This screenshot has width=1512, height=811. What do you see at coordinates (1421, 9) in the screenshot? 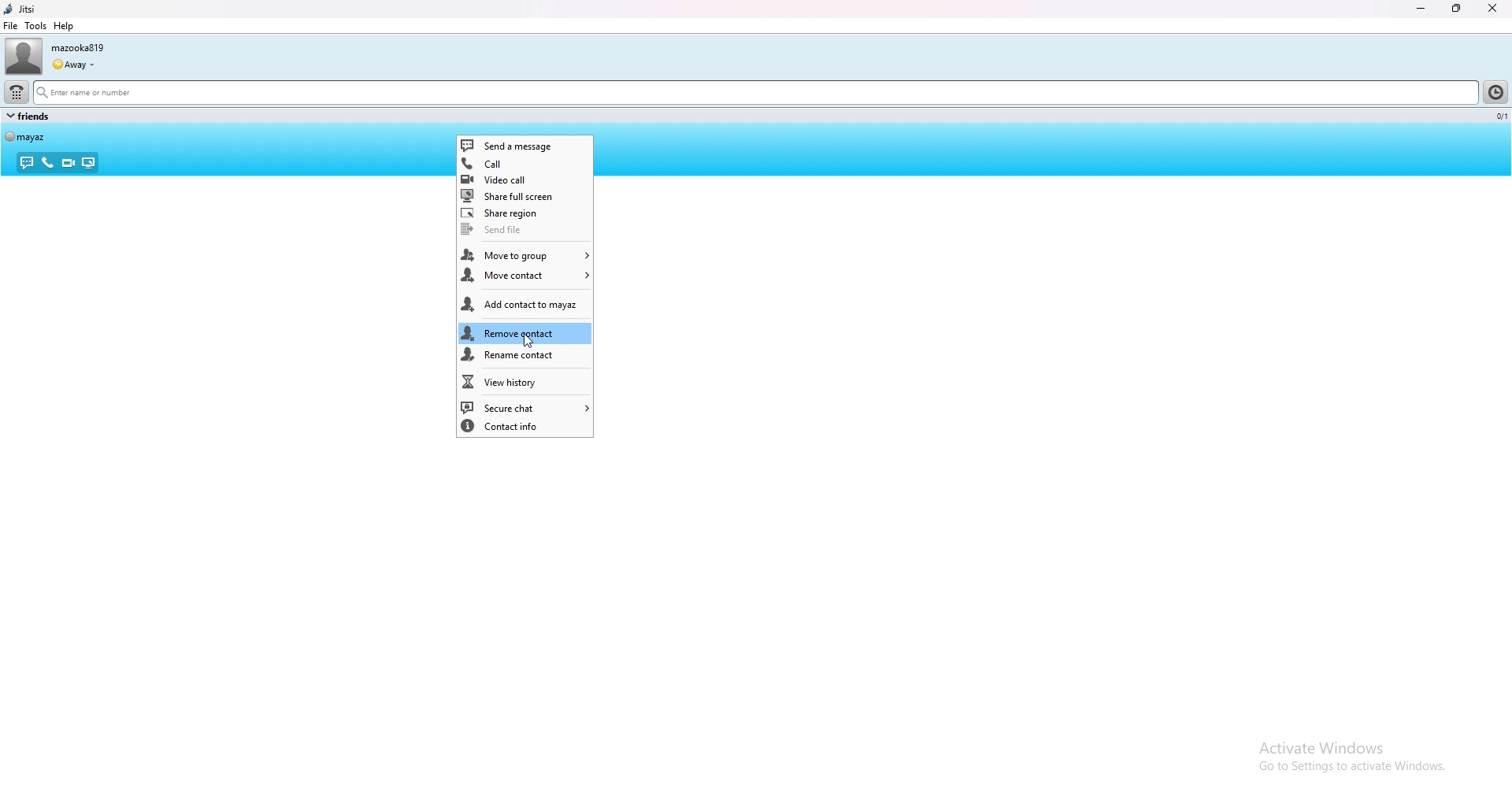
I see `minimize` at bounding box center [1421, 9].